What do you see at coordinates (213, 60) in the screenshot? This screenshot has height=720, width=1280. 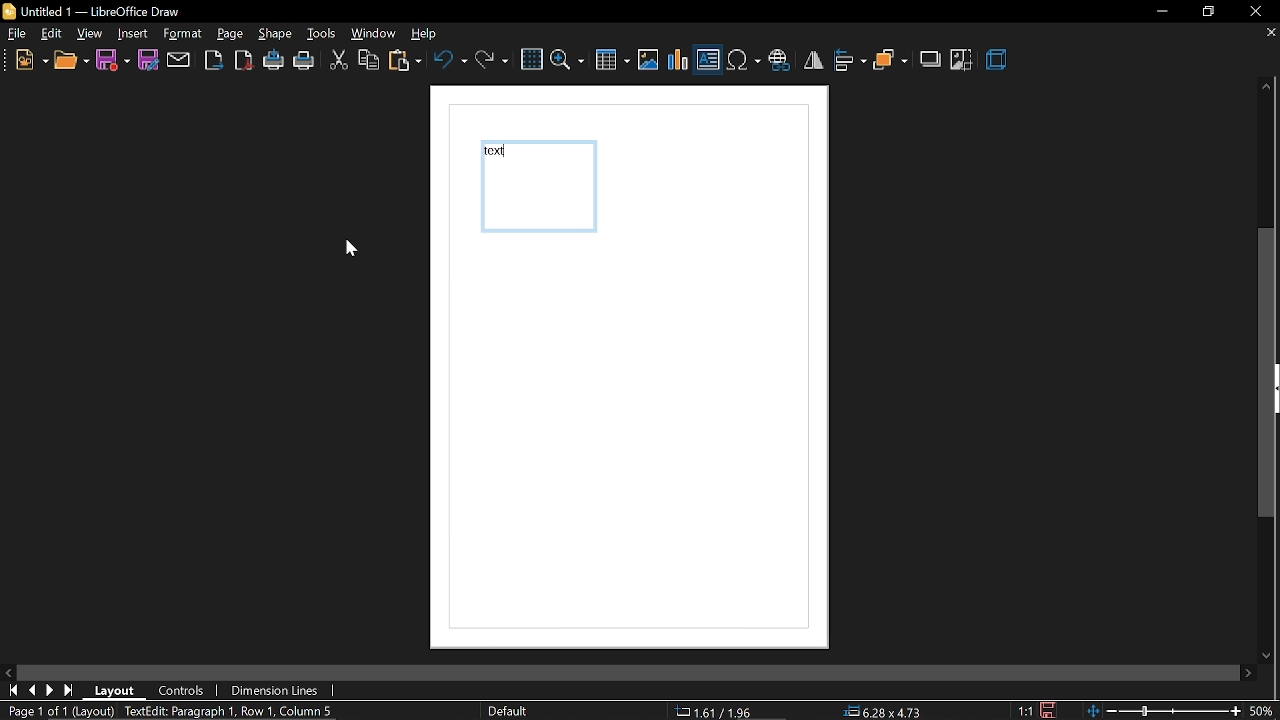 I see `export` at bounding box center [213, 60].